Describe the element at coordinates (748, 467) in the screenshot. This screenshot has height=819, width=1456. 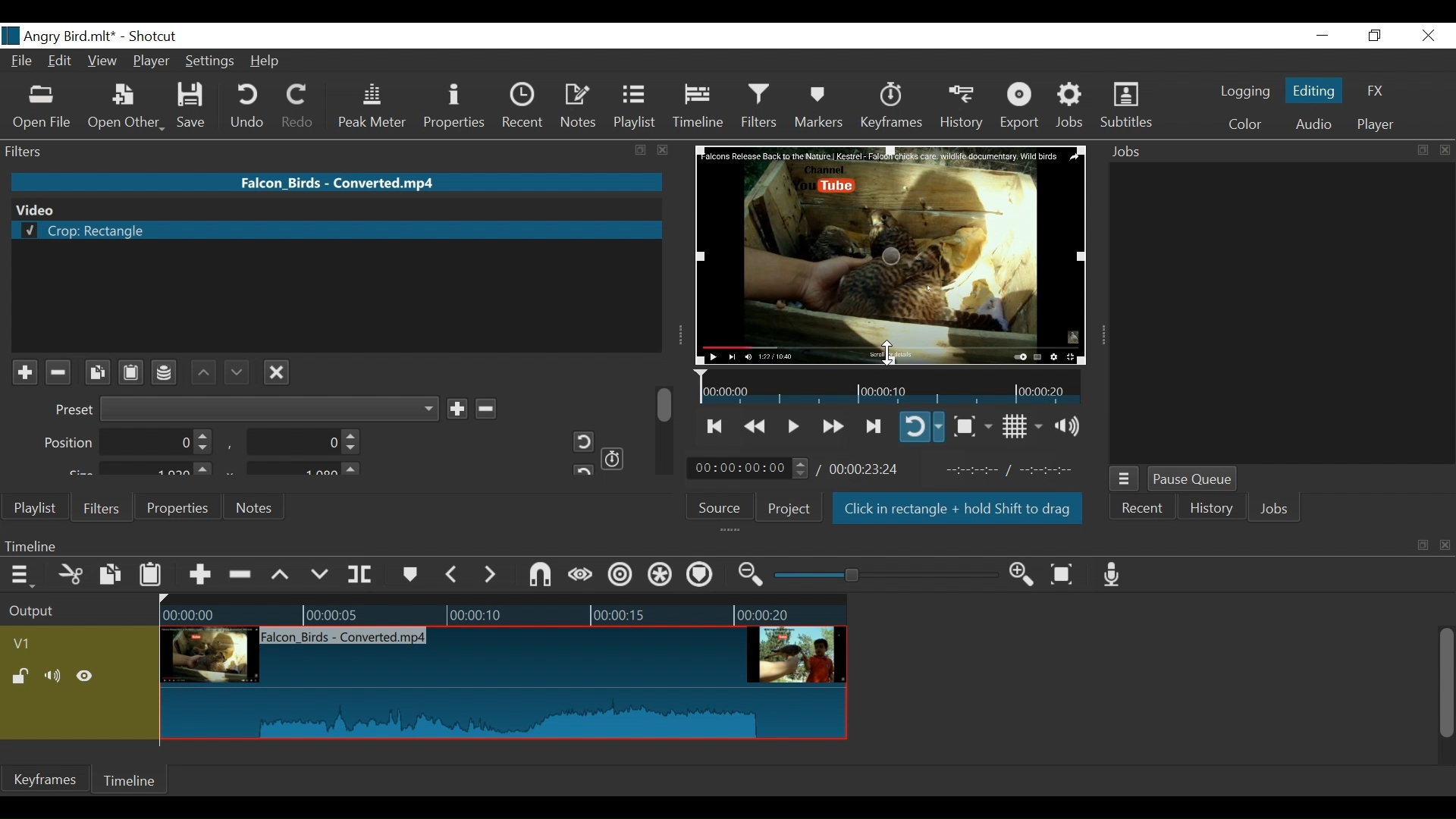
I see `Current Duration` at that location.